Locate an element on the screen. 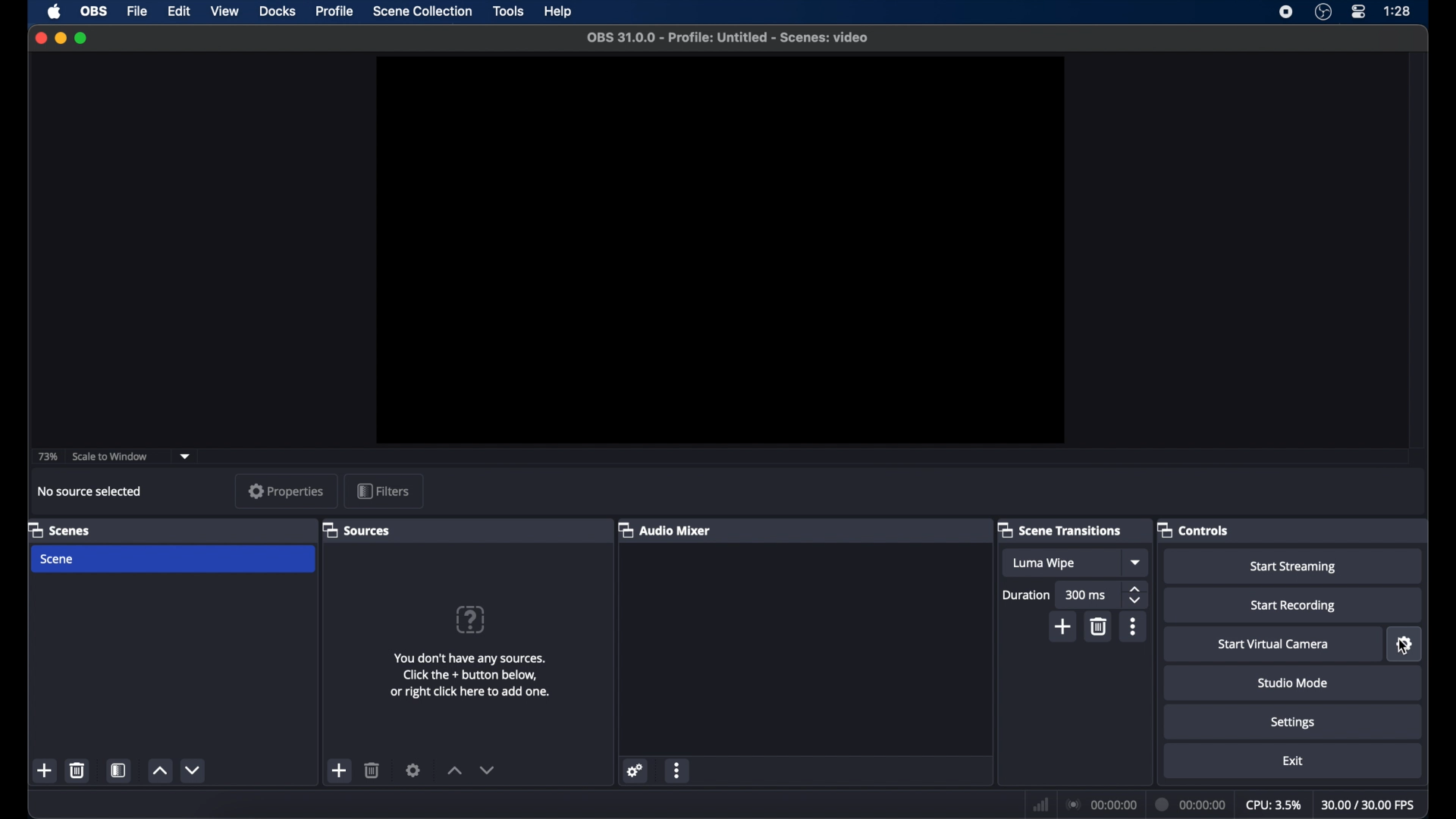 The width and height of the screenshot is (1456, 819). fps is located at coordinates (1369, 805).